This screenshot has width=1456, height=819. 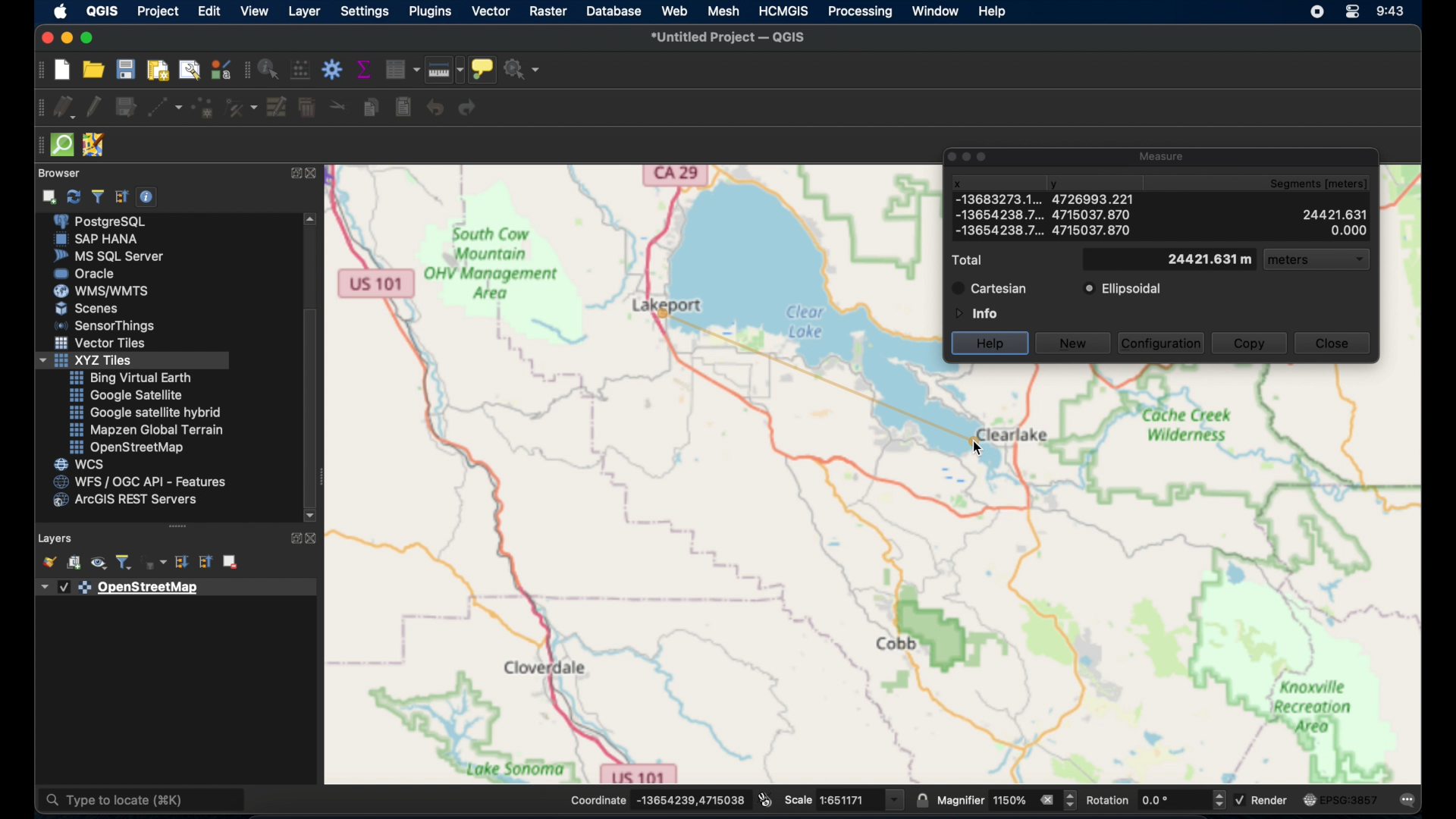 What do you see at coordinates (312, 218) in the screenshot?
I see `scroll up arrow` at bounding box center [312, 218].